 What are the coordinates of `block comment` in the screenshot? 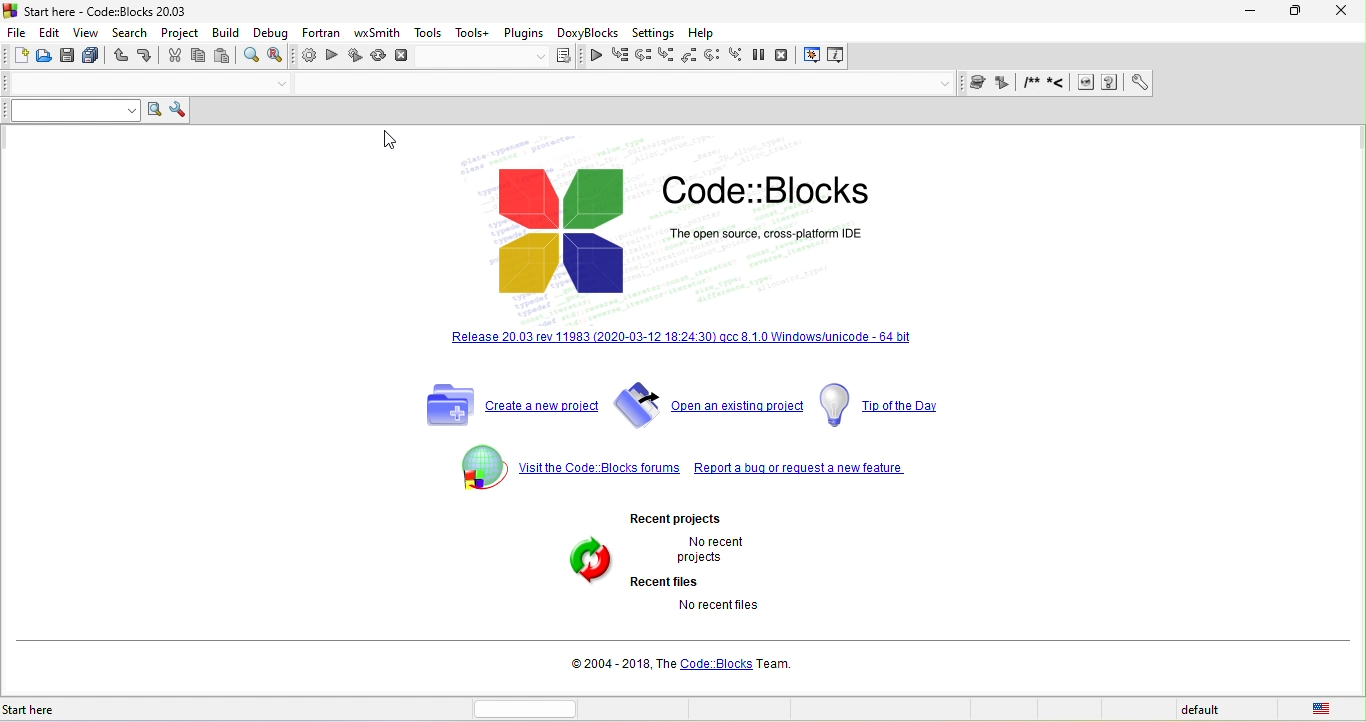 It's located at (1189, 85).